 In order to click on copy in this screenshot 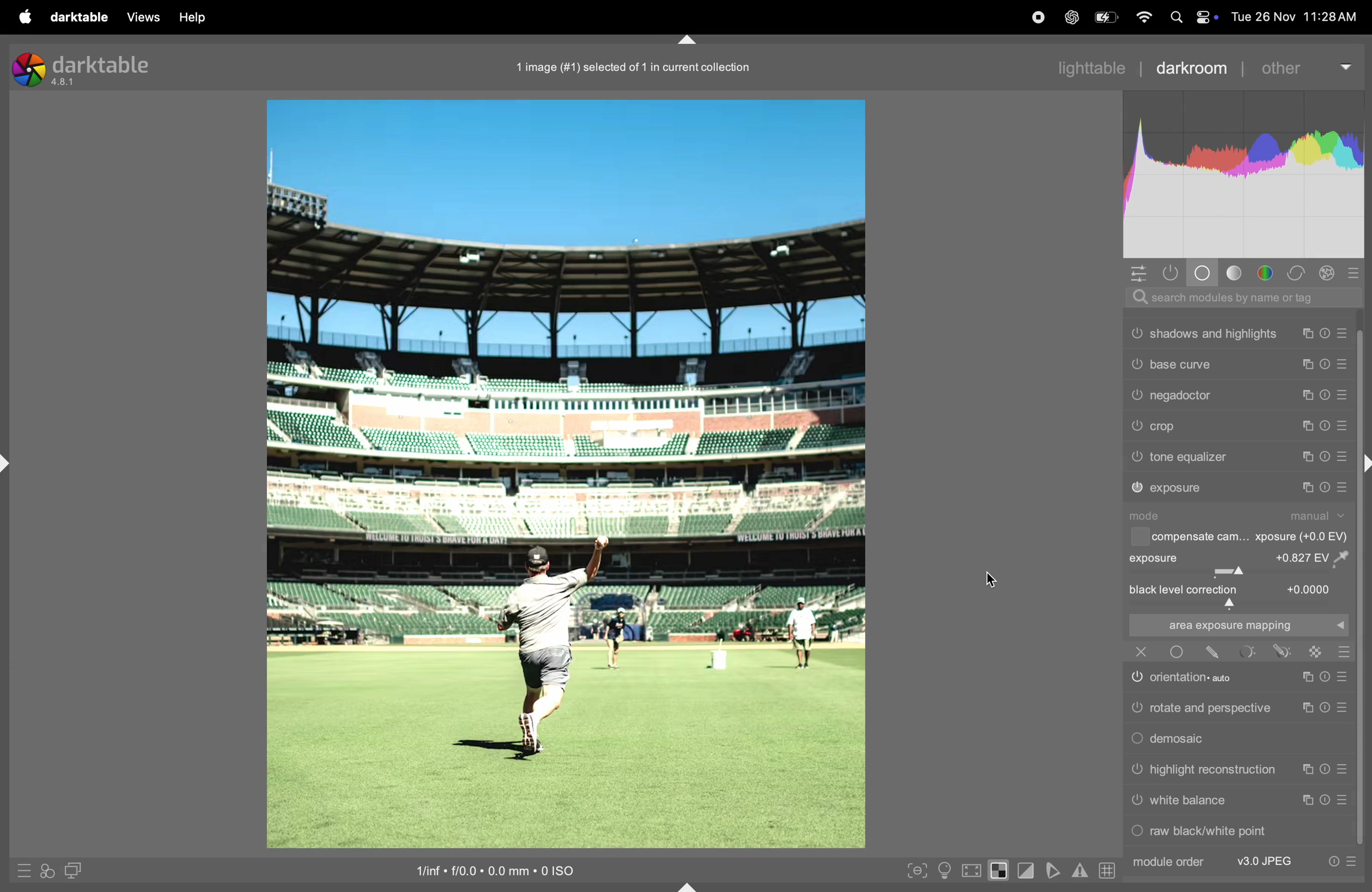, I will do `click(1308, 365)`.